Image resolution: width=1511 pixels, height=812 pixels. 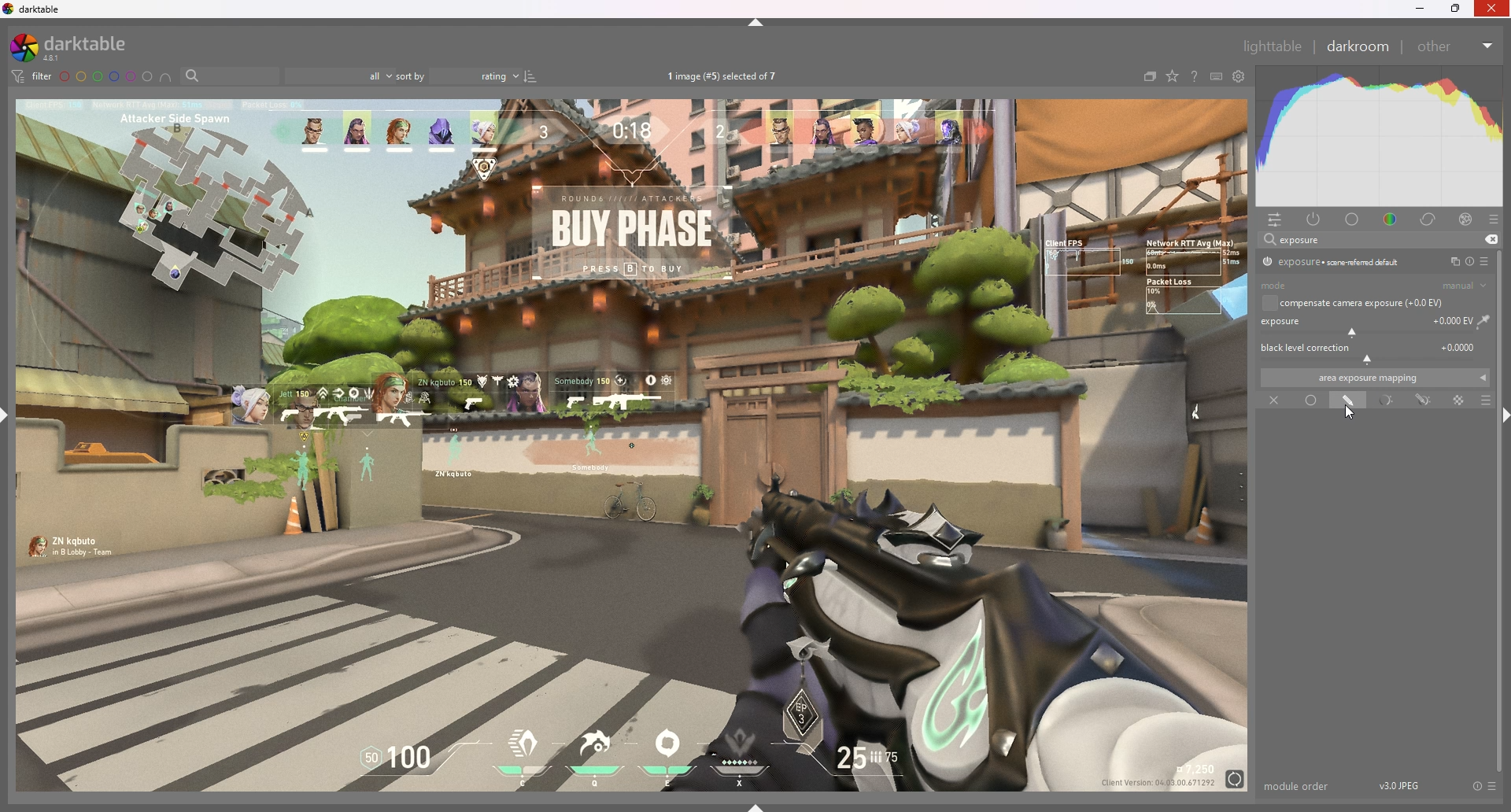 I want to click on filter, so click(x=33, y=76).